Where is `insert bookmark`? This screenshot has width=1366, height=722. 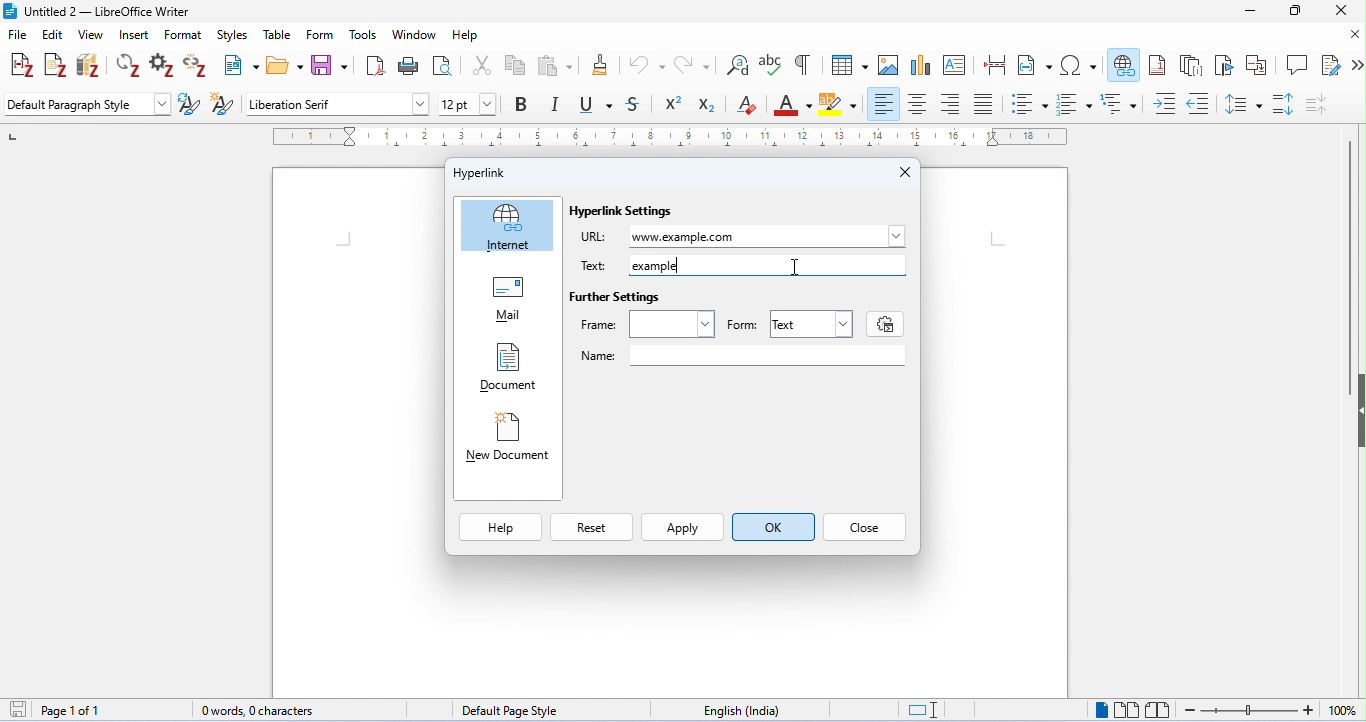 insert bookmark is located at coordinates (1227, 65).